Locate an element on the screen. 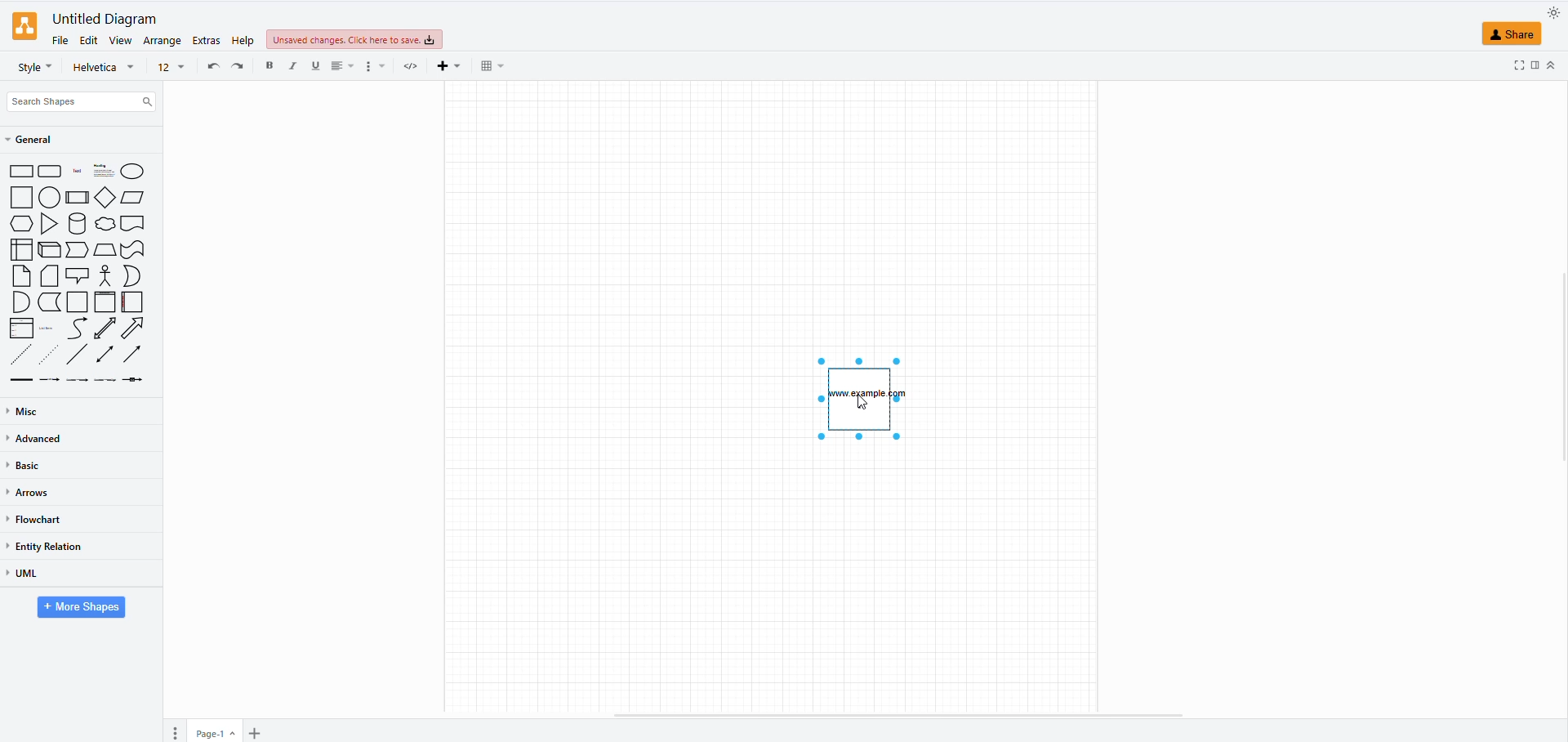 The width and height of the screenshot is (1568, 742). general is located at coordinates (32, 139).